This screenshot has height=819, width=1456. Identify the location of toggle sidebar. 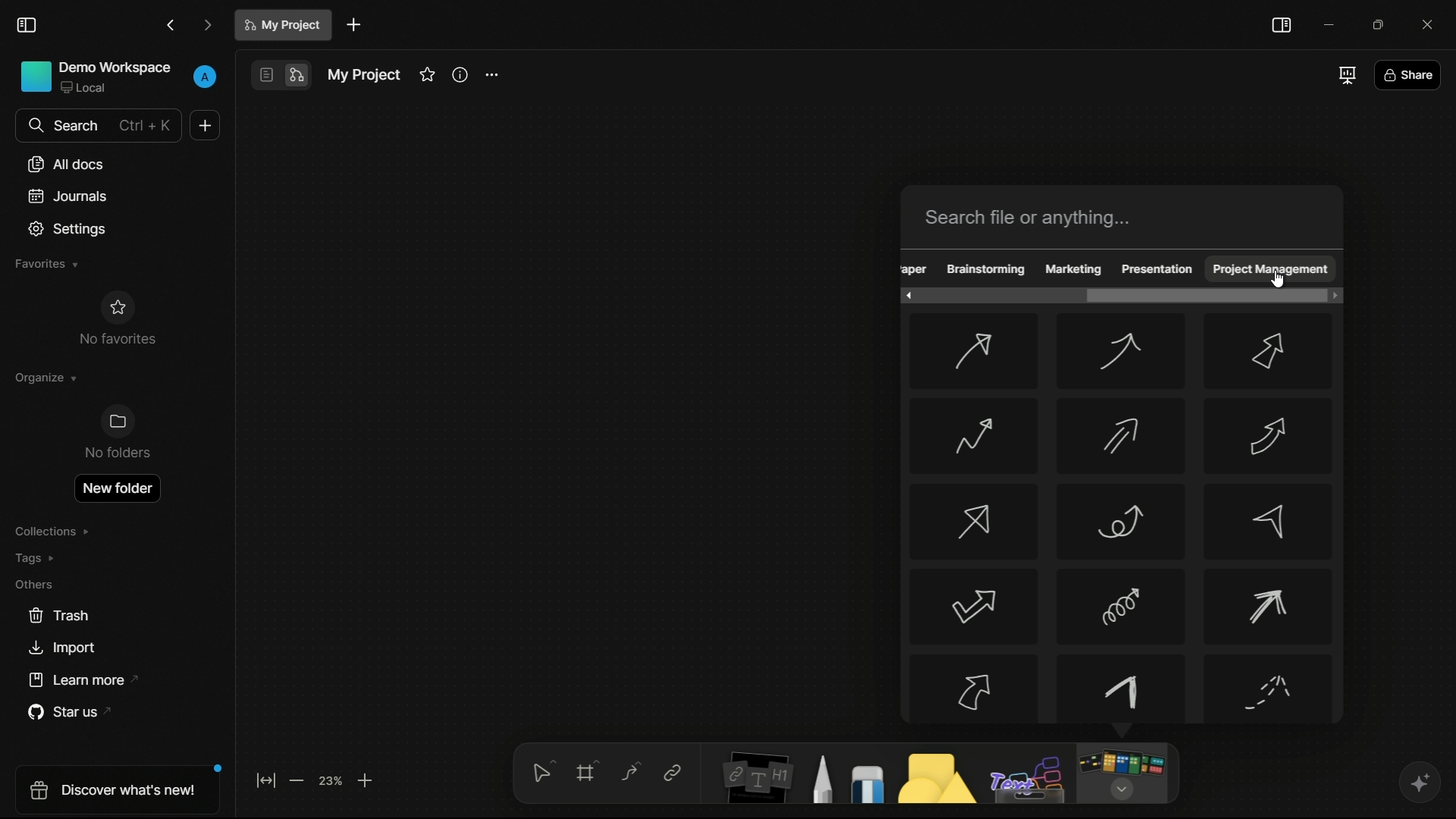
(27, 26).